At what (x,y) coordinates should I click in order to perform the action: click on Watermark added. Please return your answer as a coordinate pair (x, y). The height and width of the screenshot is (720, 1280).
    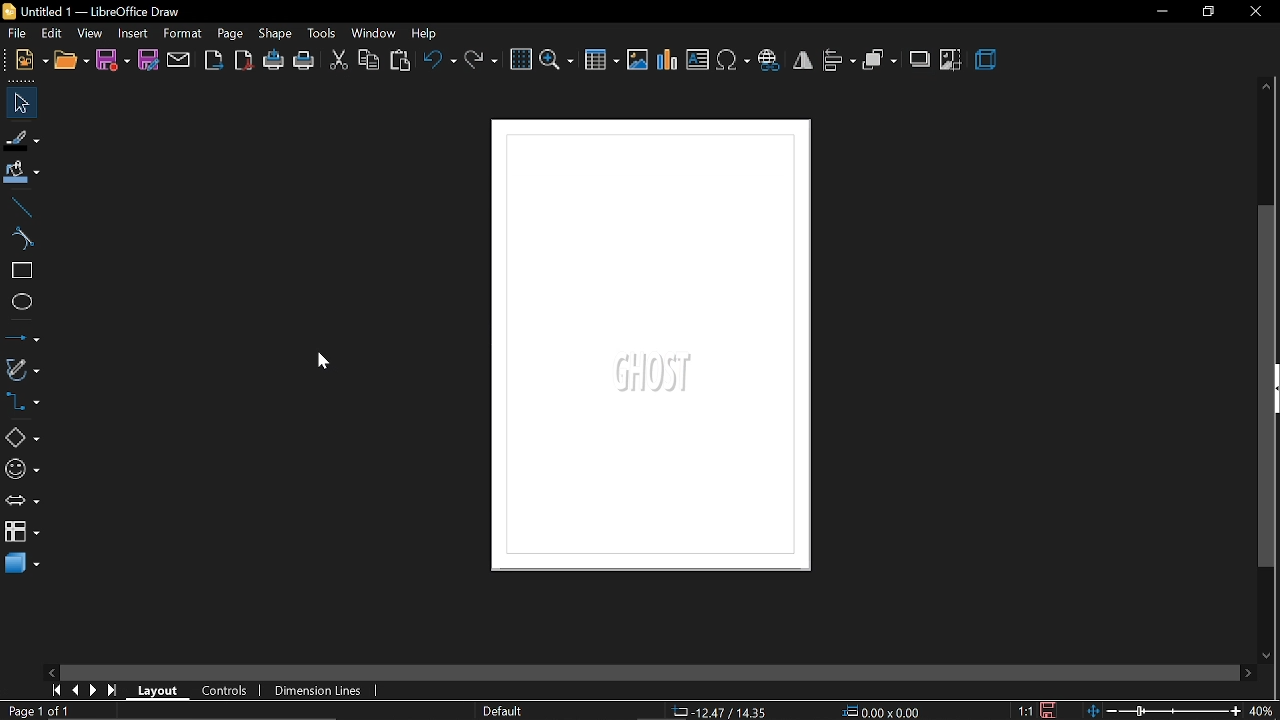
    Looking at the image, I should click on (665, 375).